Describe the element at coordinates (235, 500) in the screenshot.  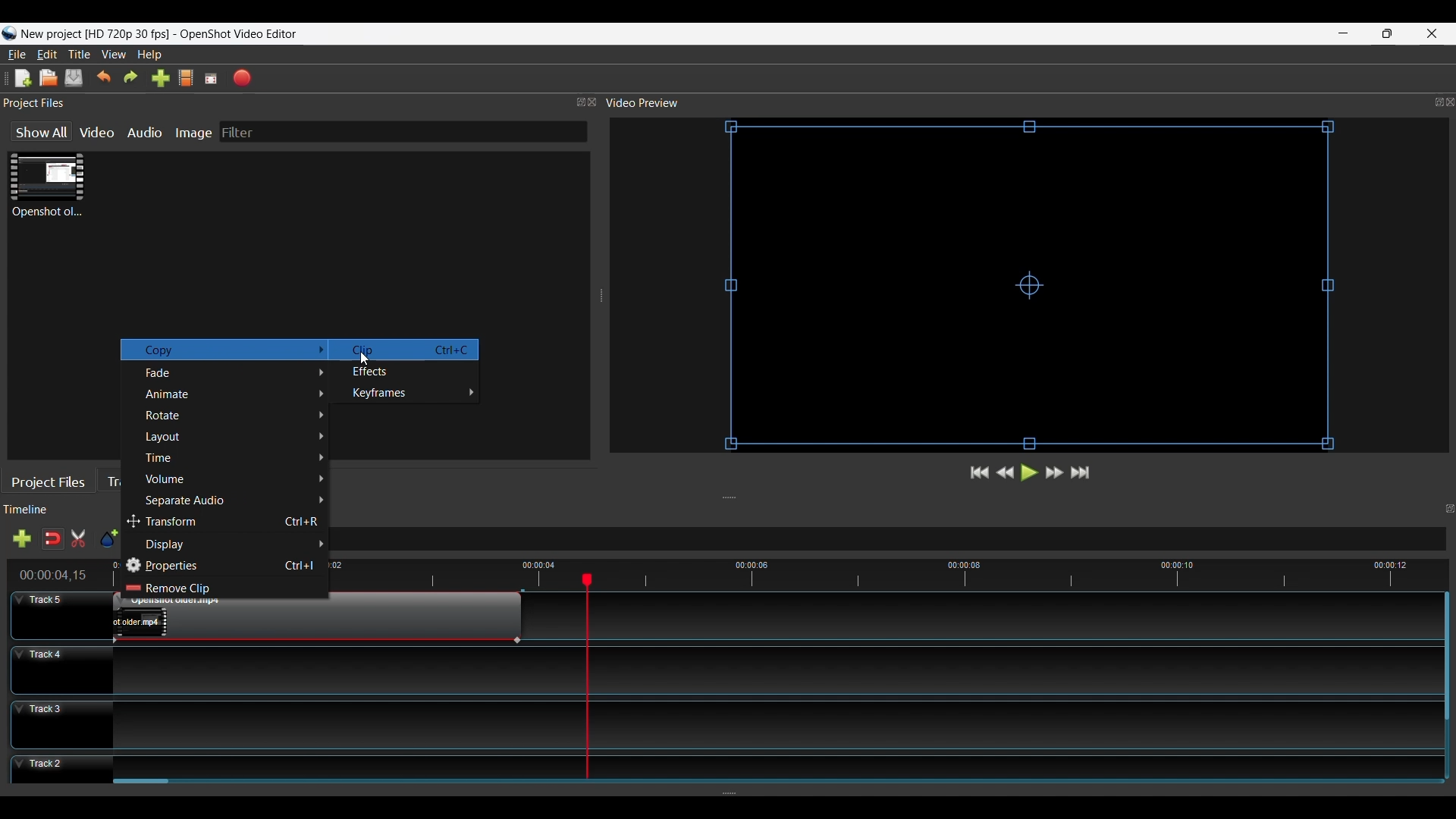
I see `Separate Audio` at that location.